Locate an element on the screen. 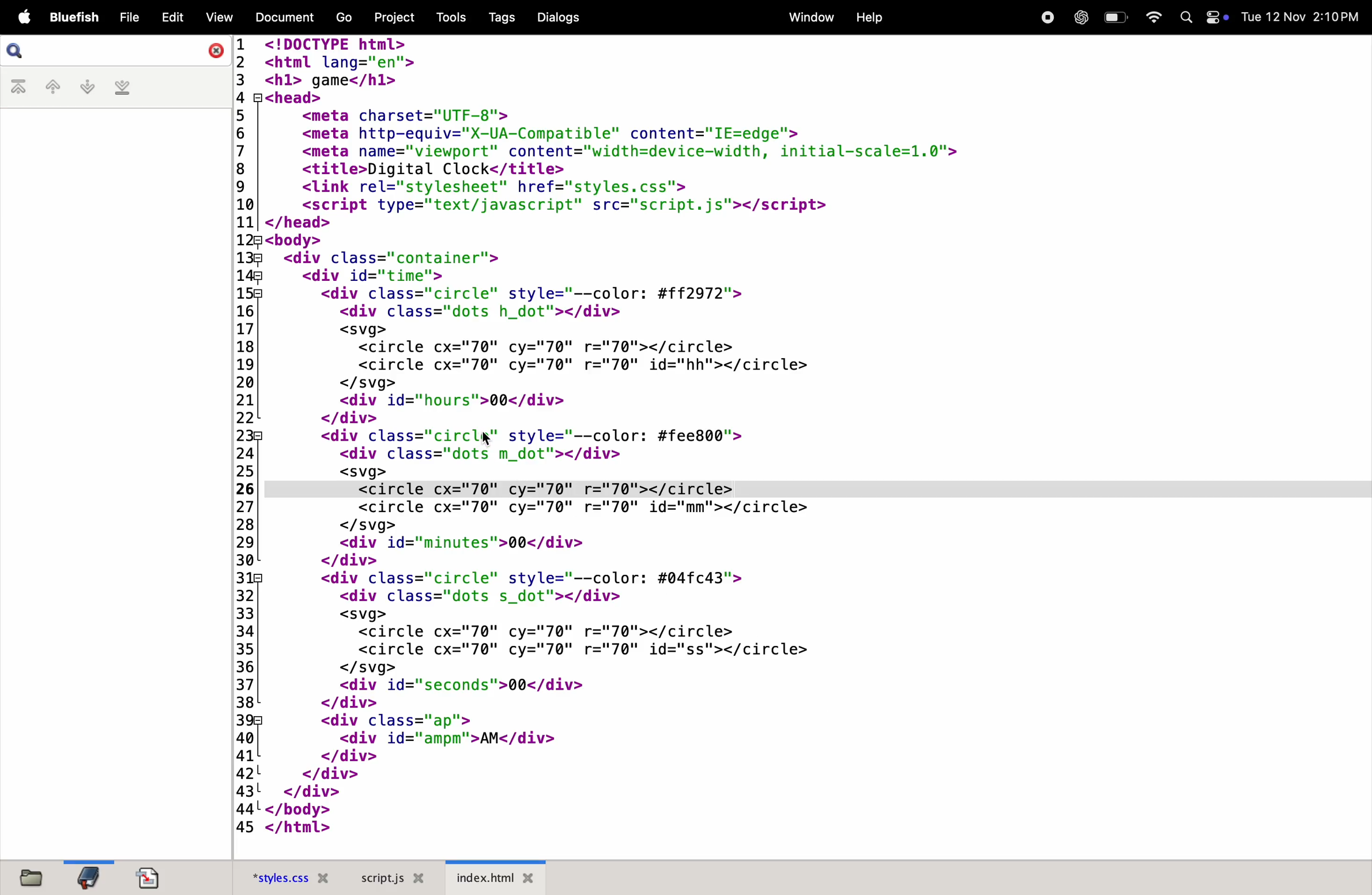 Image resolution: width=1372 pixels, height=895 pixels. script.js is located at coordinates (390, 878).